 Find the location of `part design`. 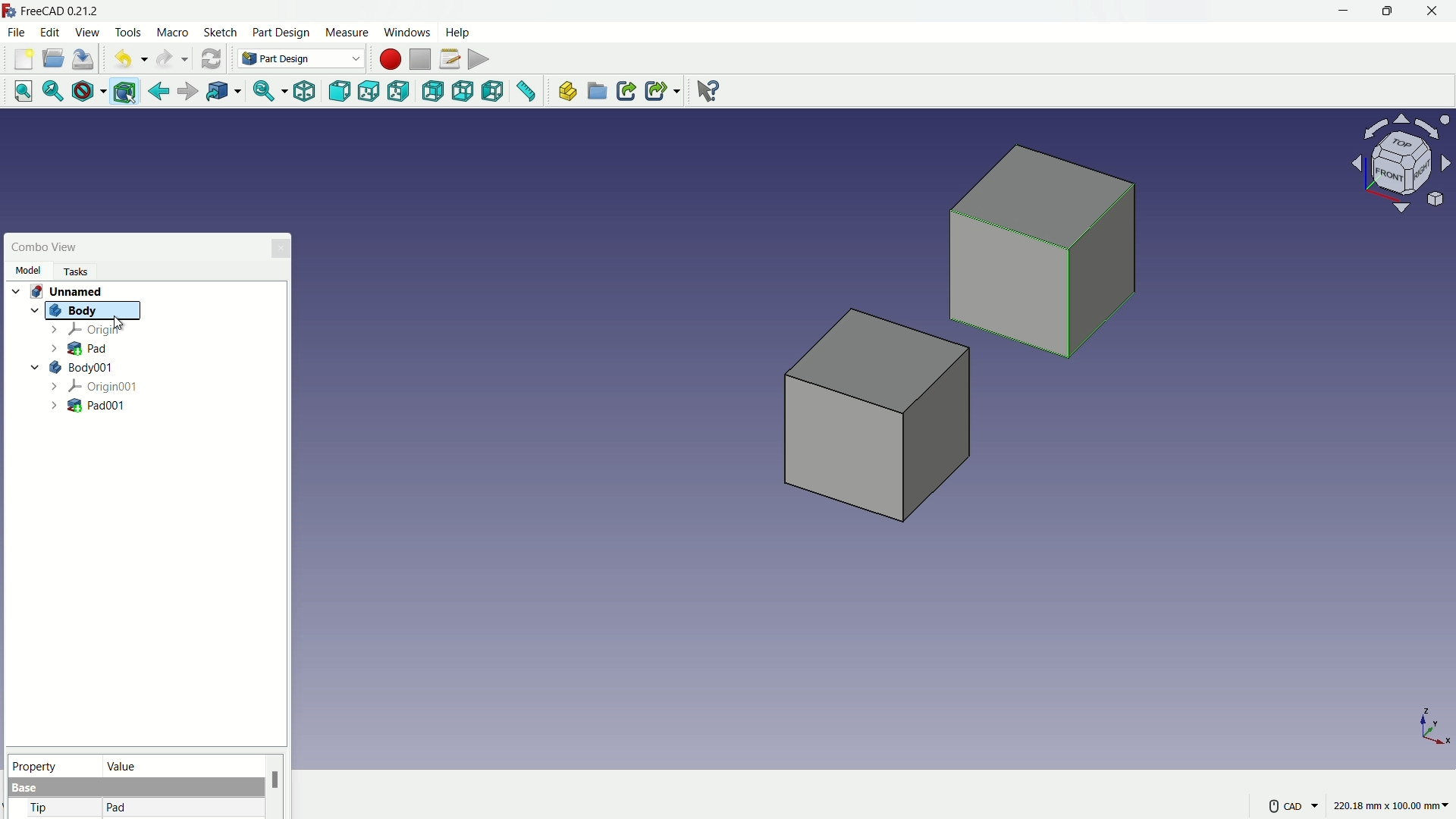

part design is located at coordinates (281, 33).